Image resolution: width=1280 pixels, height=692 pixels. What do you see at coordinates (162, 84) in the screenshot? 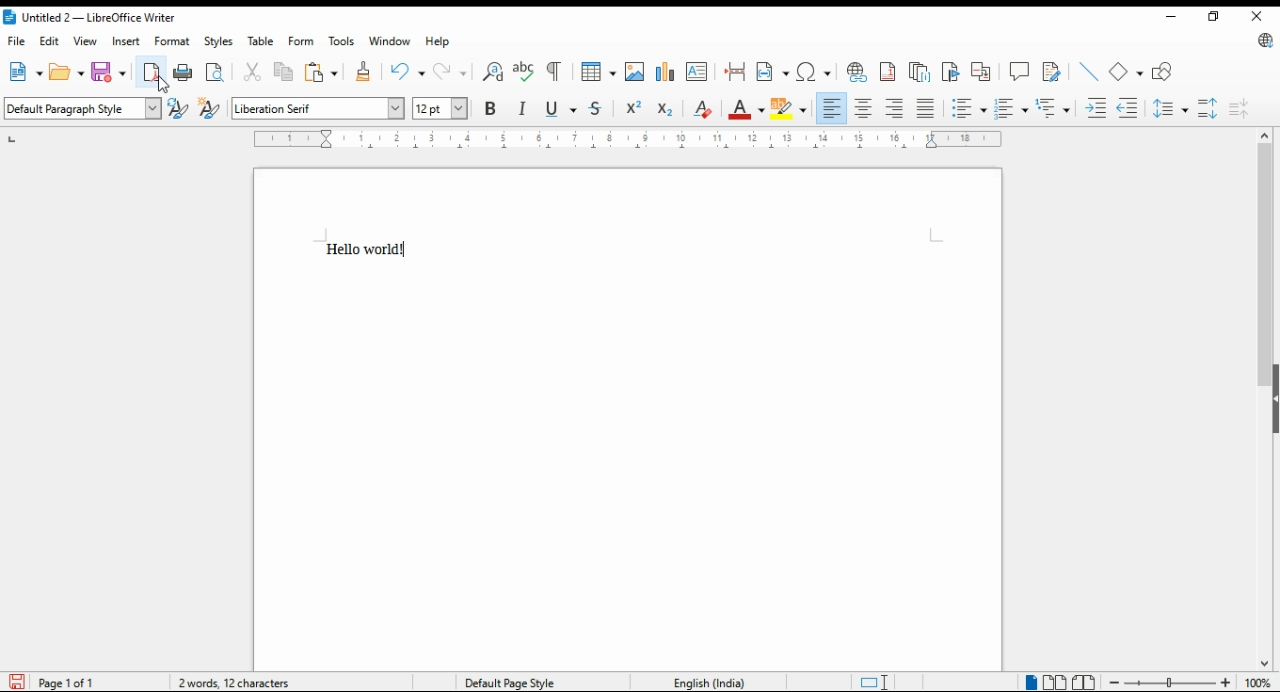
I see `cursor` at bounding box center [162, 84].